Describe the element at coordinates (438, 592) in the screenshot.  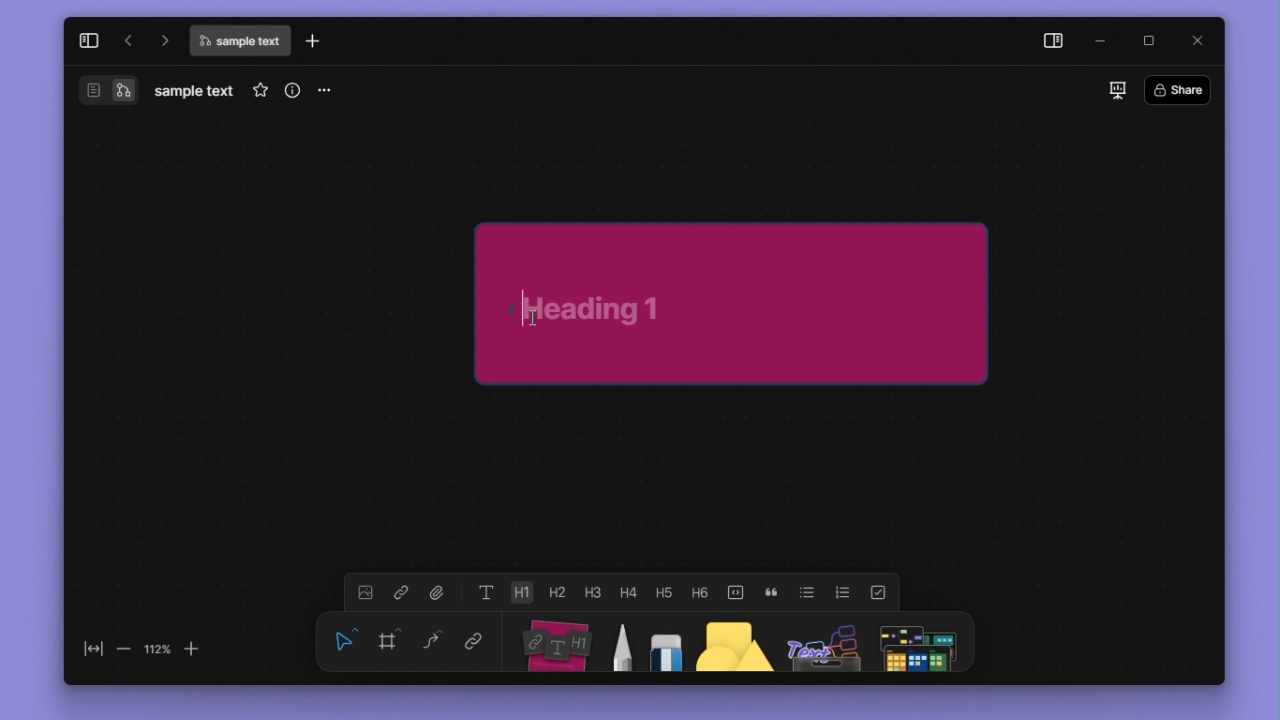
I see `file` at that location.